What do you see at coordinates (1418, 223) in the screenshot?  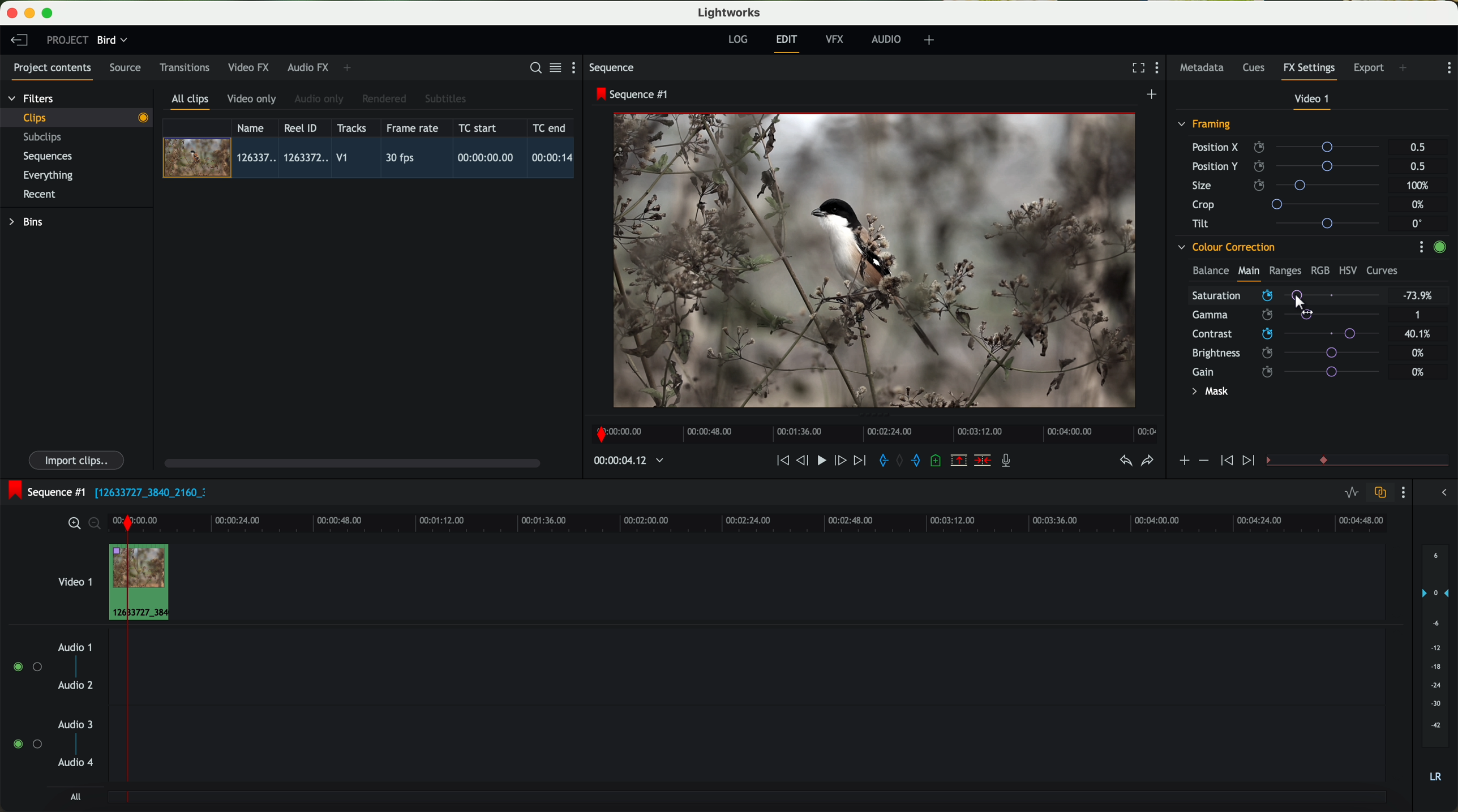 I see `0°` at bounding box center [1418, 223].